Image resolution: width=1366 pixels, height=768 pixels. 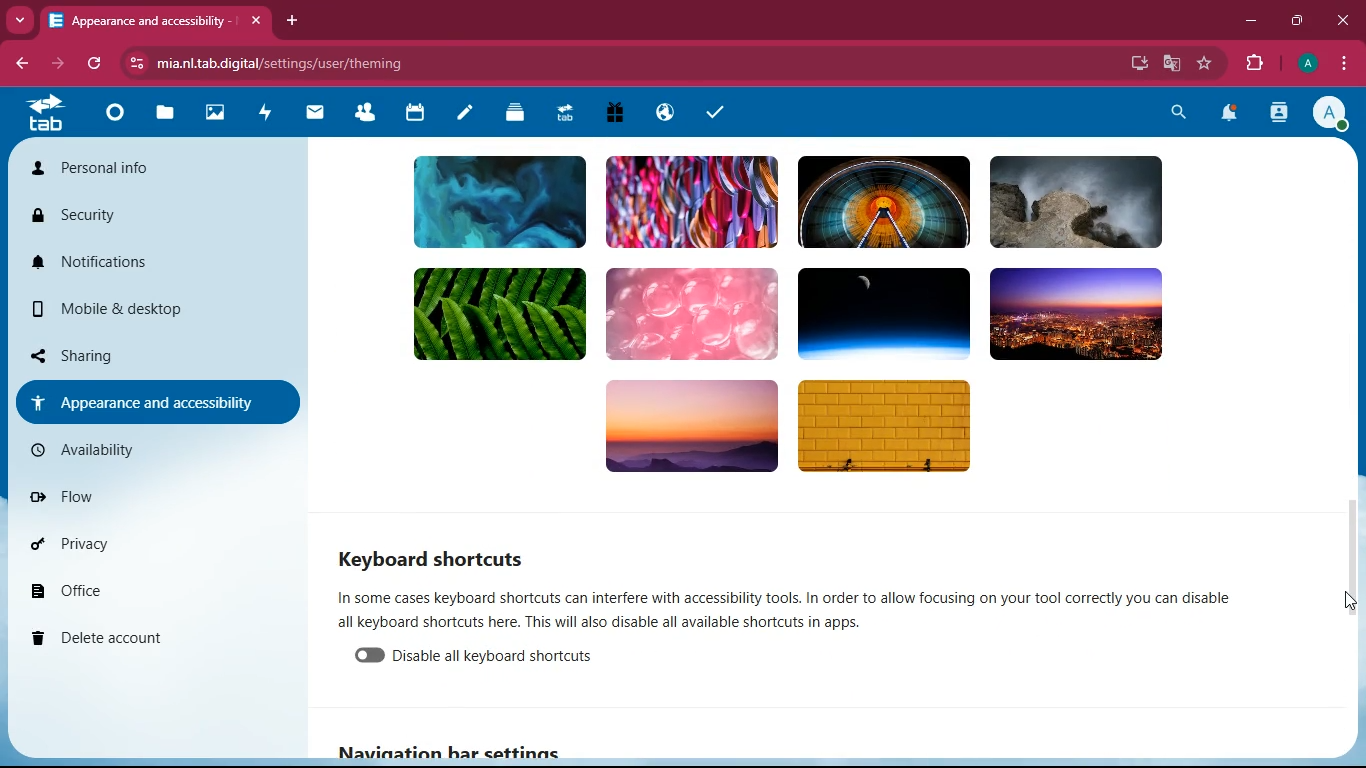 What do you see at coordinates (215, 113) in the screenshot?
I see `images` at bounding box center [215, 113].